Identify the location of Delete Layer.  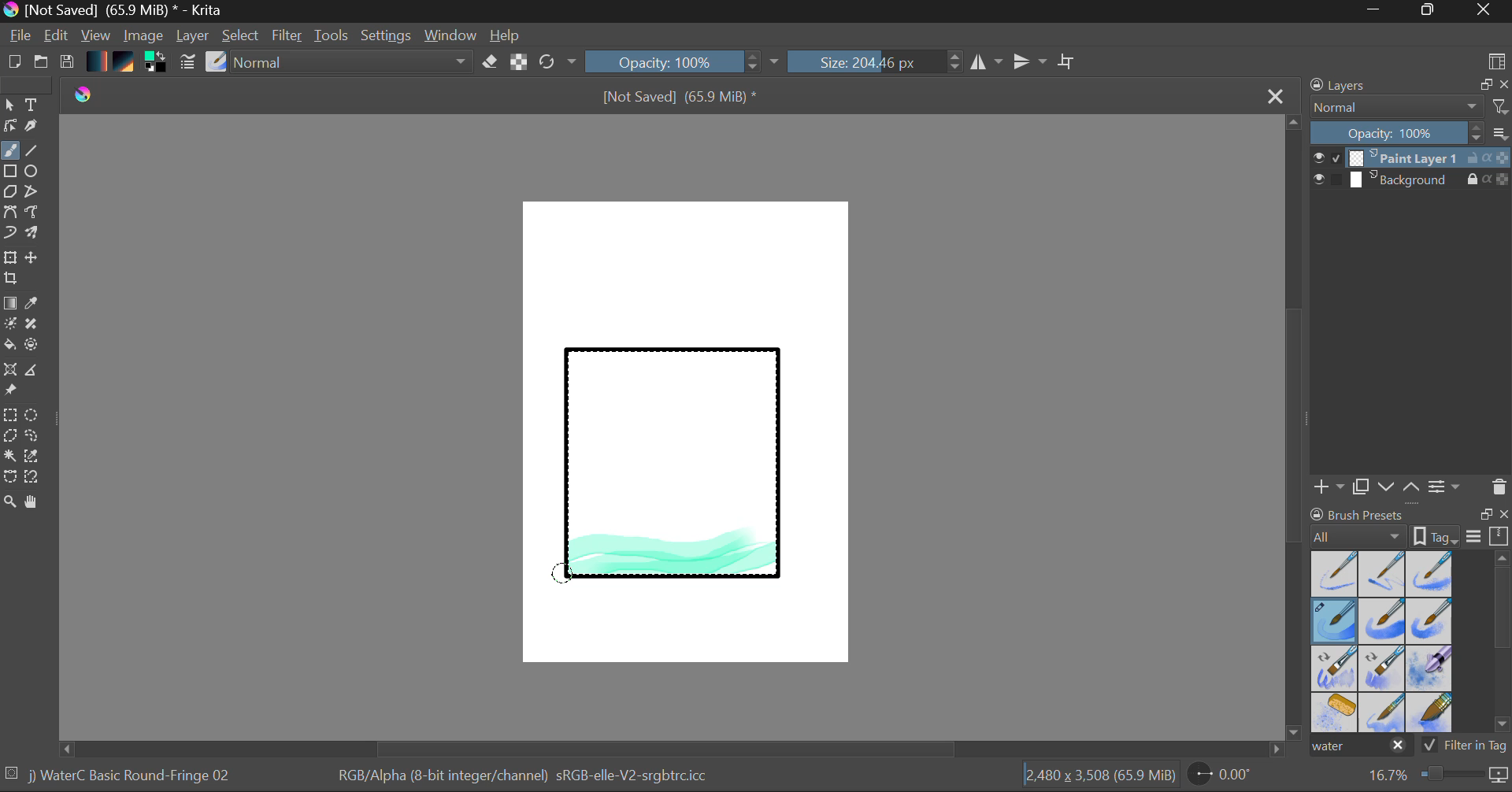
(1499, 487).